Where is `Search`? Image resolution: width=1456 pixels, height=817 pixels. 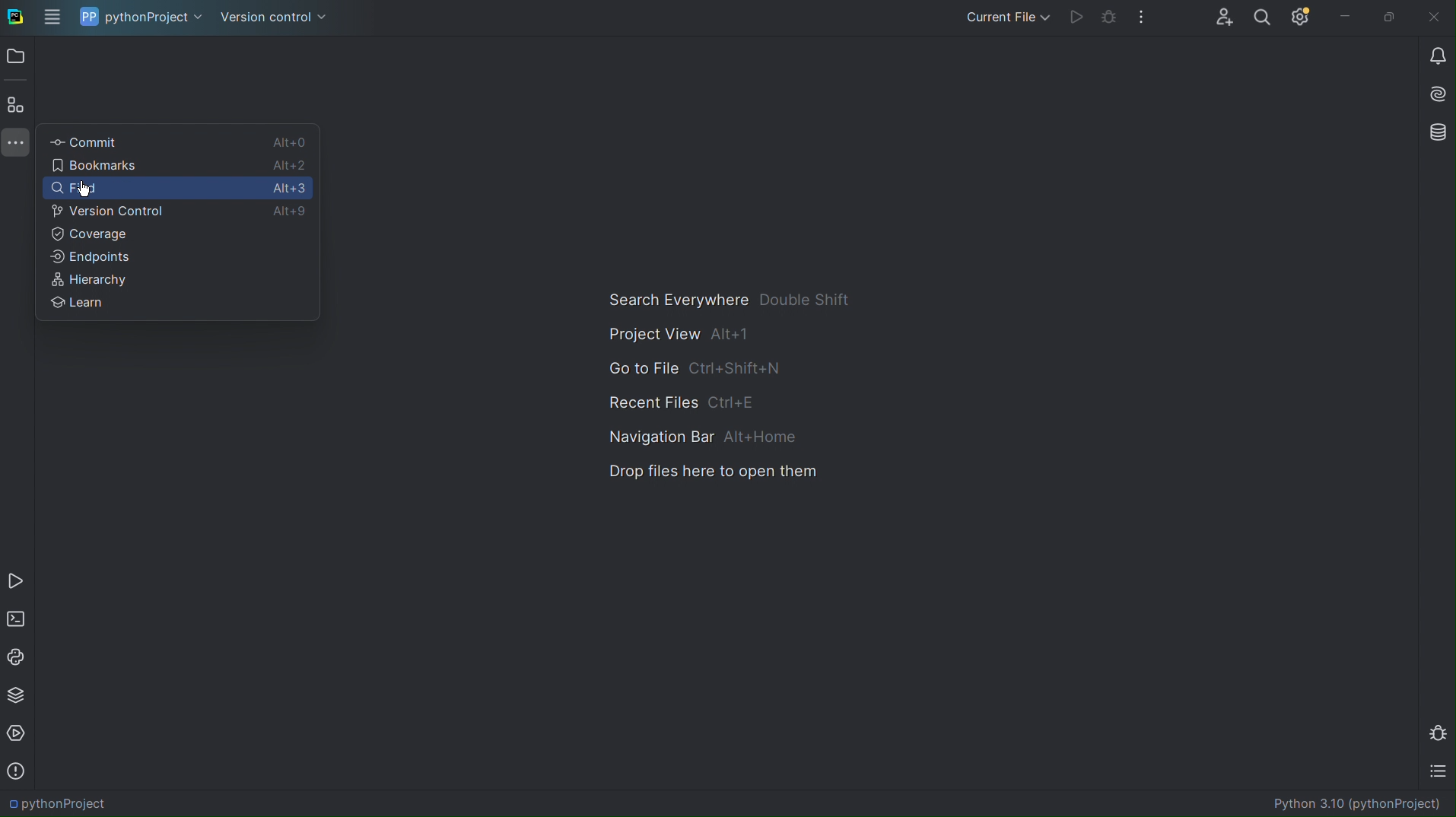 Search is located at coordinates (1267, 19).